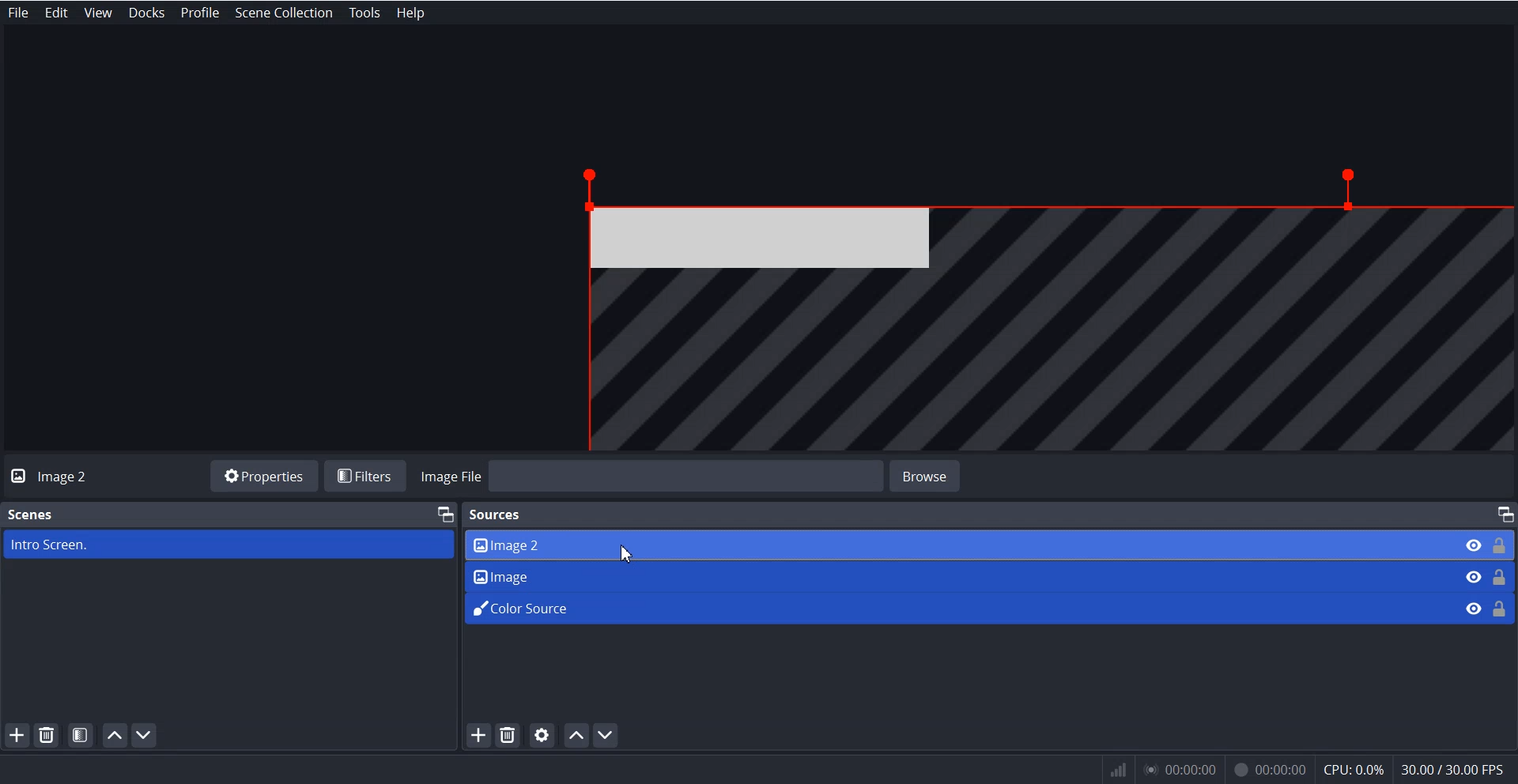 This screenshot has height=784, width=1518. What do you see at coordinates (1269, 767) in the screenshot?
I see `00:00:00` at bounding box center [1269, 767].